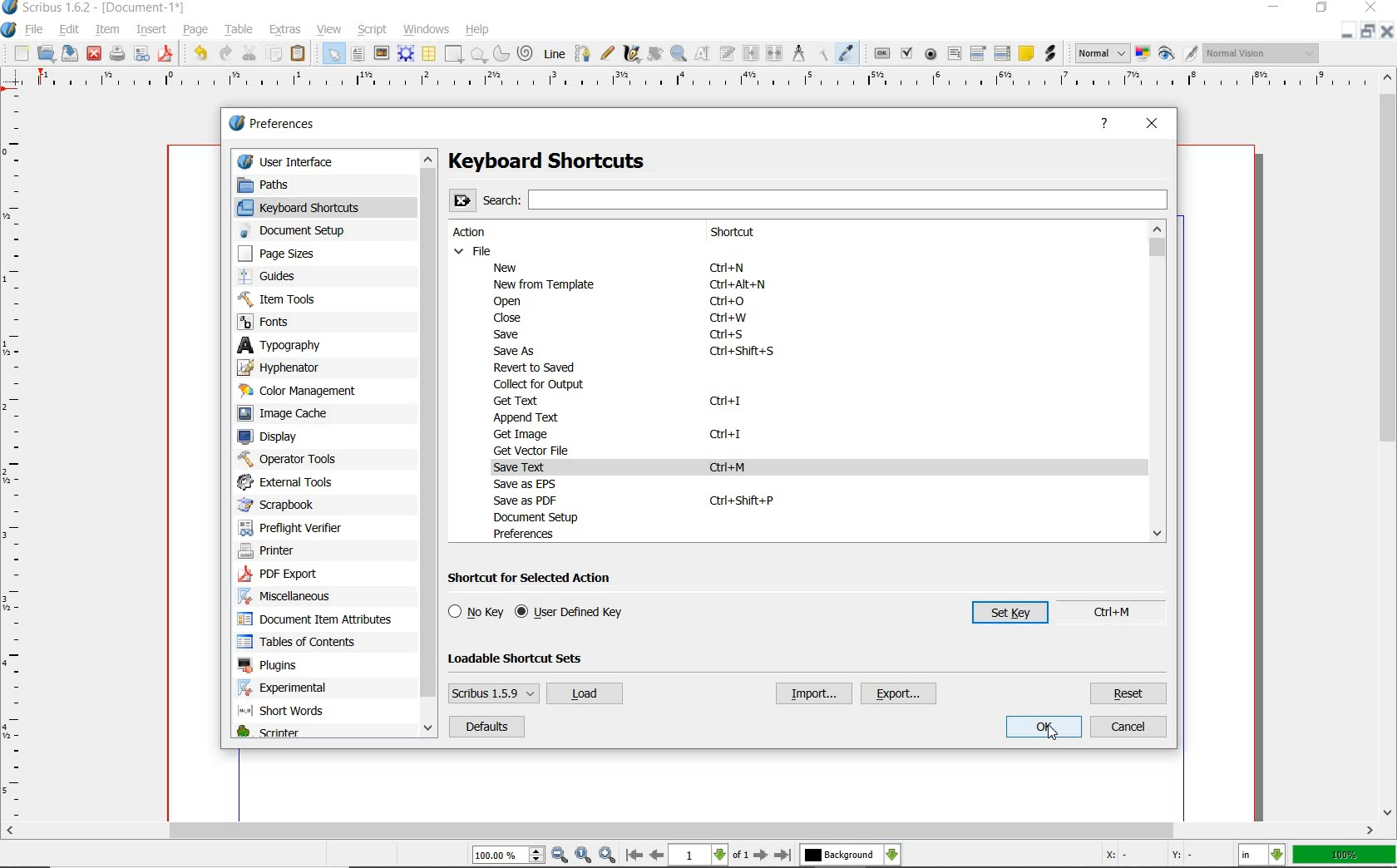  Describe the element at coordinates (734, 269) in the screenshot. I see `Ctrl + N` at that location.